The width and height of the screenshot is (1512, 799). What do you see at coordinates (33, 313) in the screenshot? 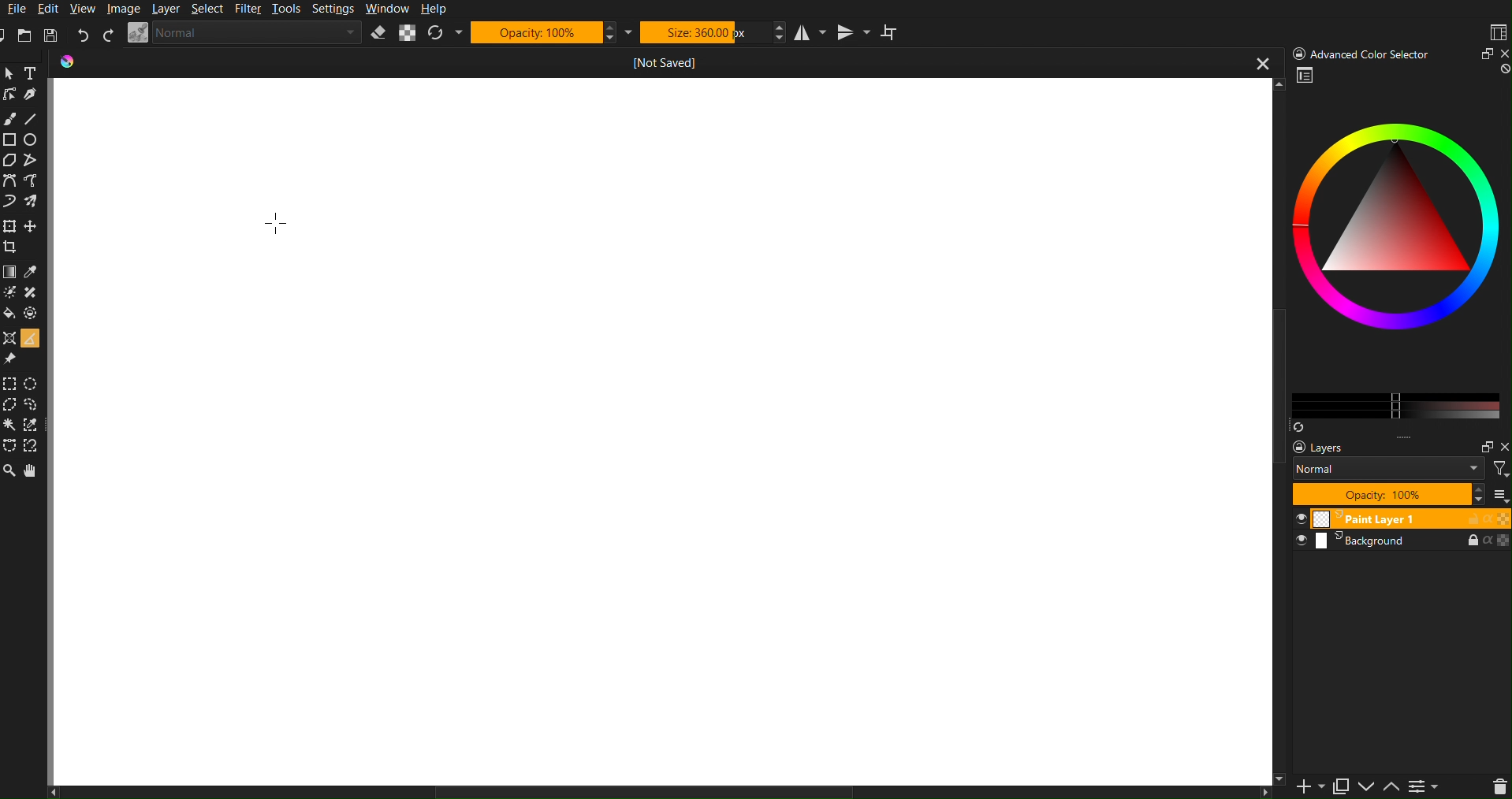
I see `Color Pallete` at bounding box center [33, 313].